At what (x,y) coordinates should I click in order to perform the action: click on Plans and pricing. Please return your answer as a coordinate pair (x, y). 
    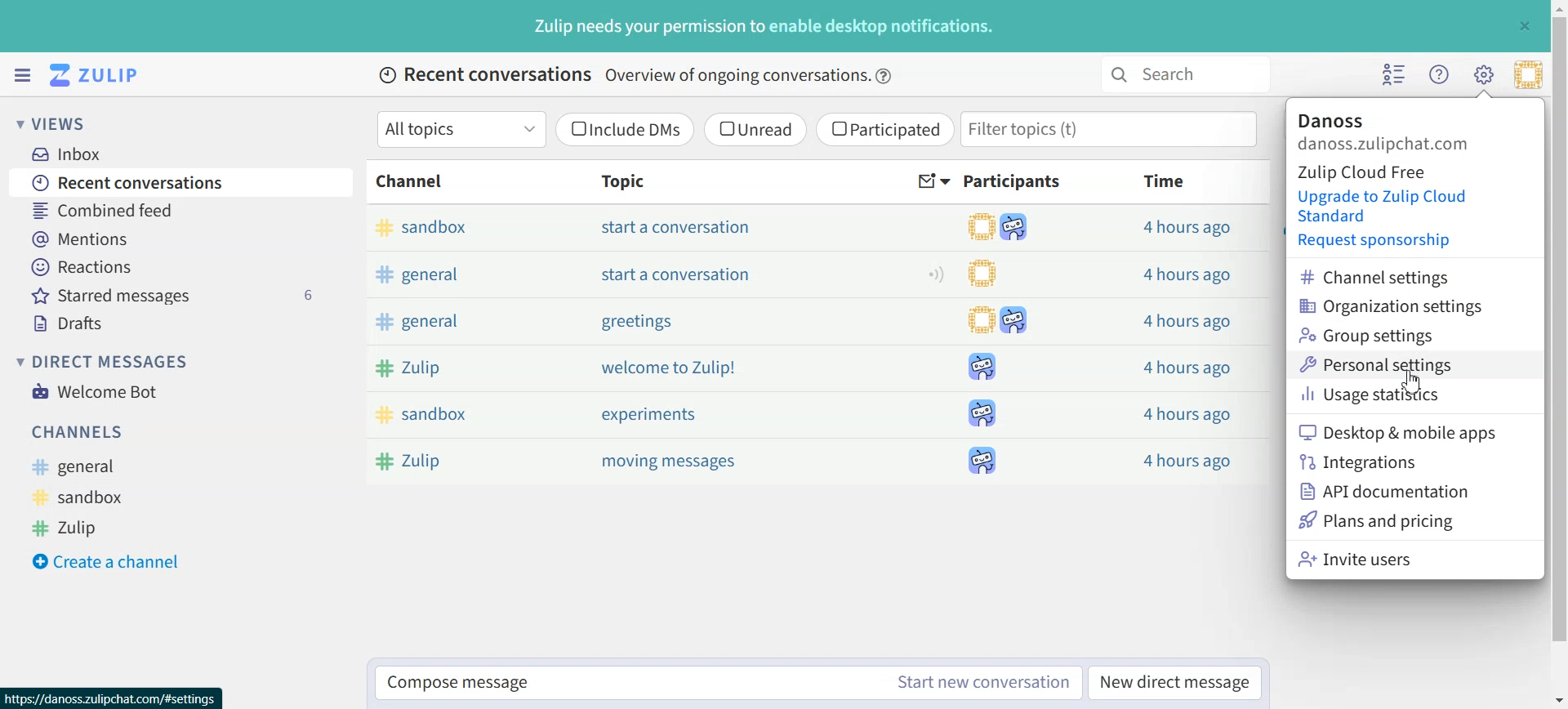
    Looking at the image, I should click on (1376, 520).